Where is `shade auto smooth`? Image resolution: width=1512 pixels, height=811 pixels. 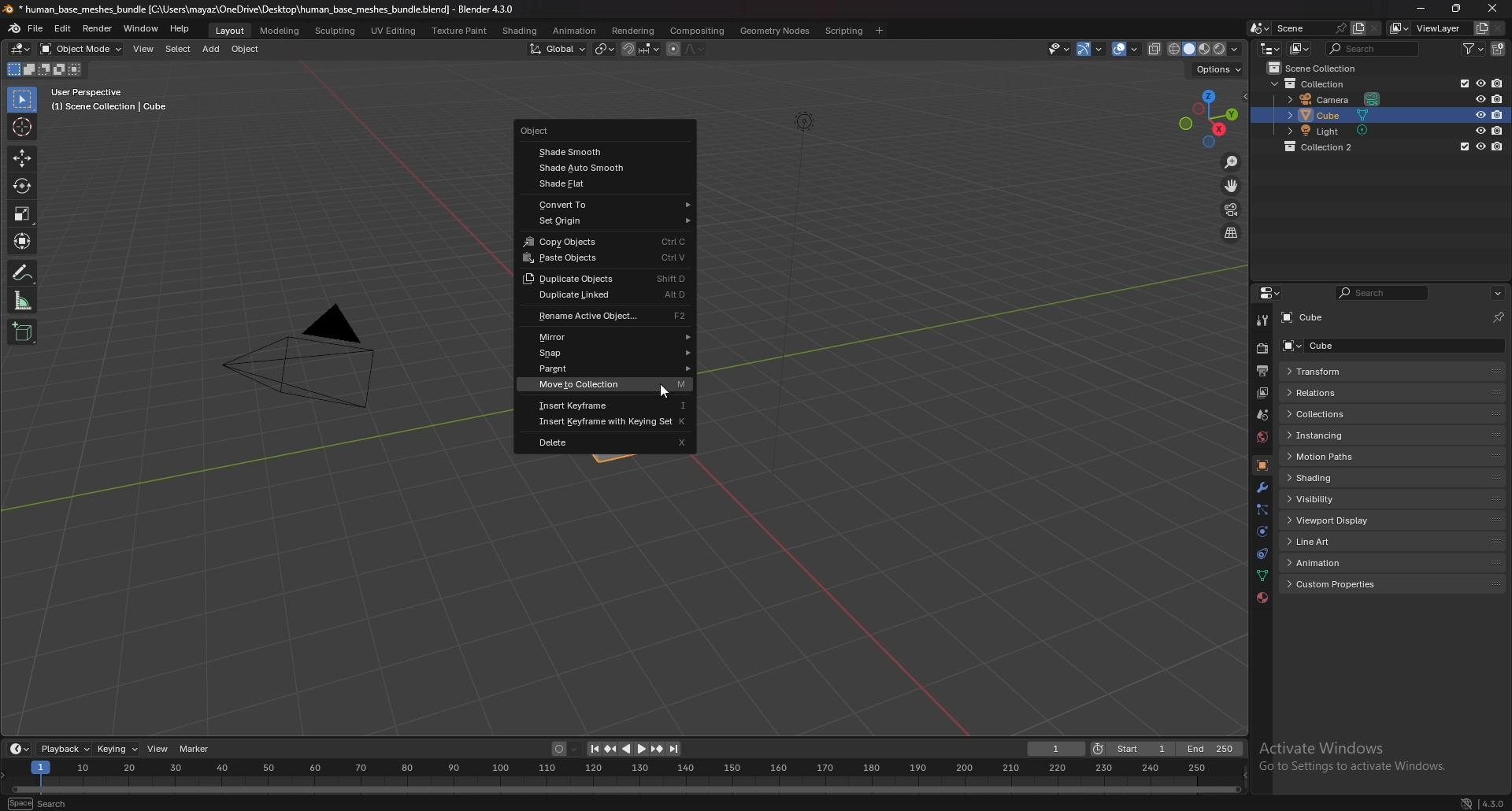
shade auto smooth is located at coordinates (607, 168).